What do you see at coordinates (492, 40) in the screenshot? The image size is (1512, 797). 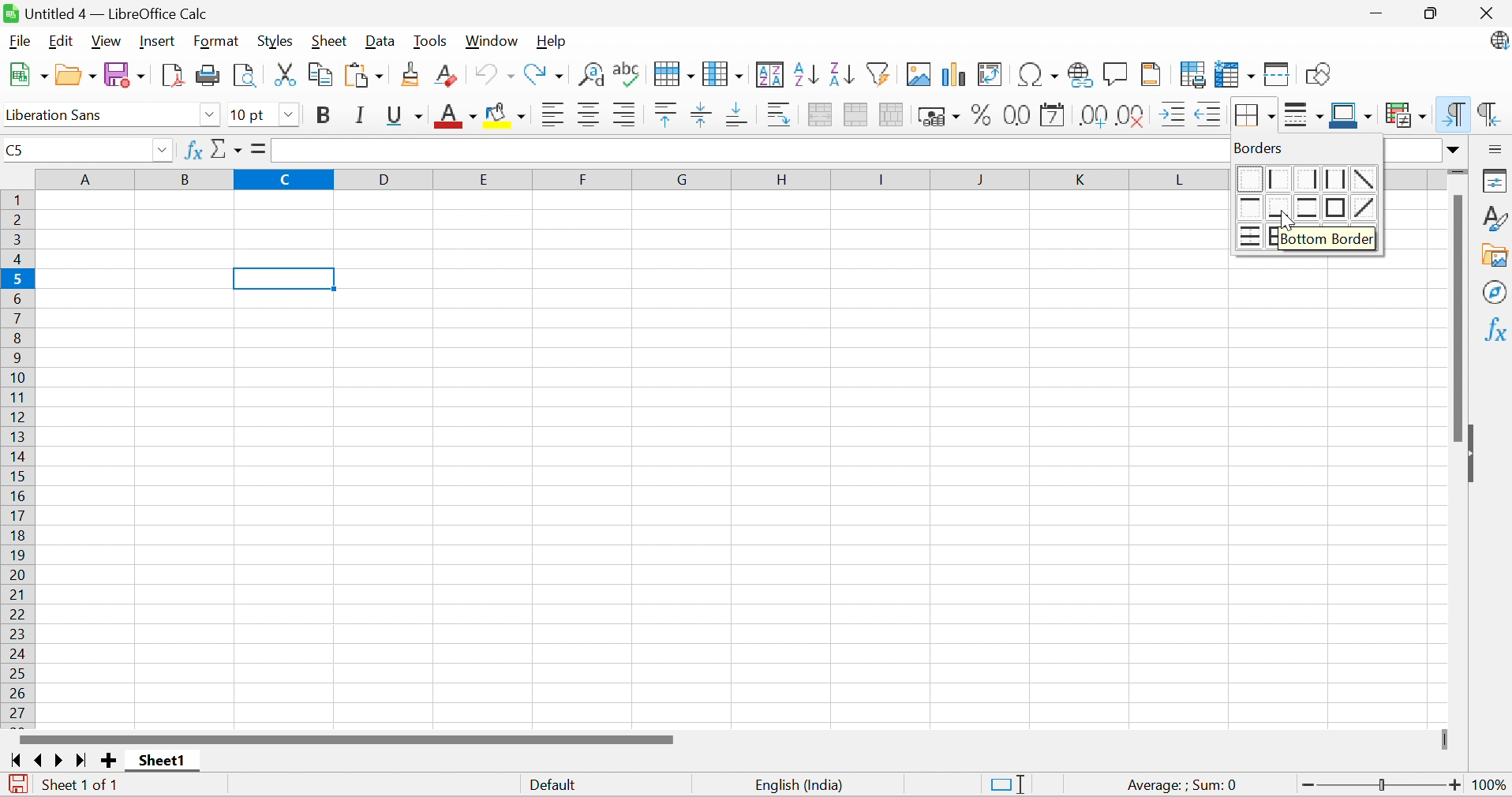 I see `Window` at bounding box center [492, 40].